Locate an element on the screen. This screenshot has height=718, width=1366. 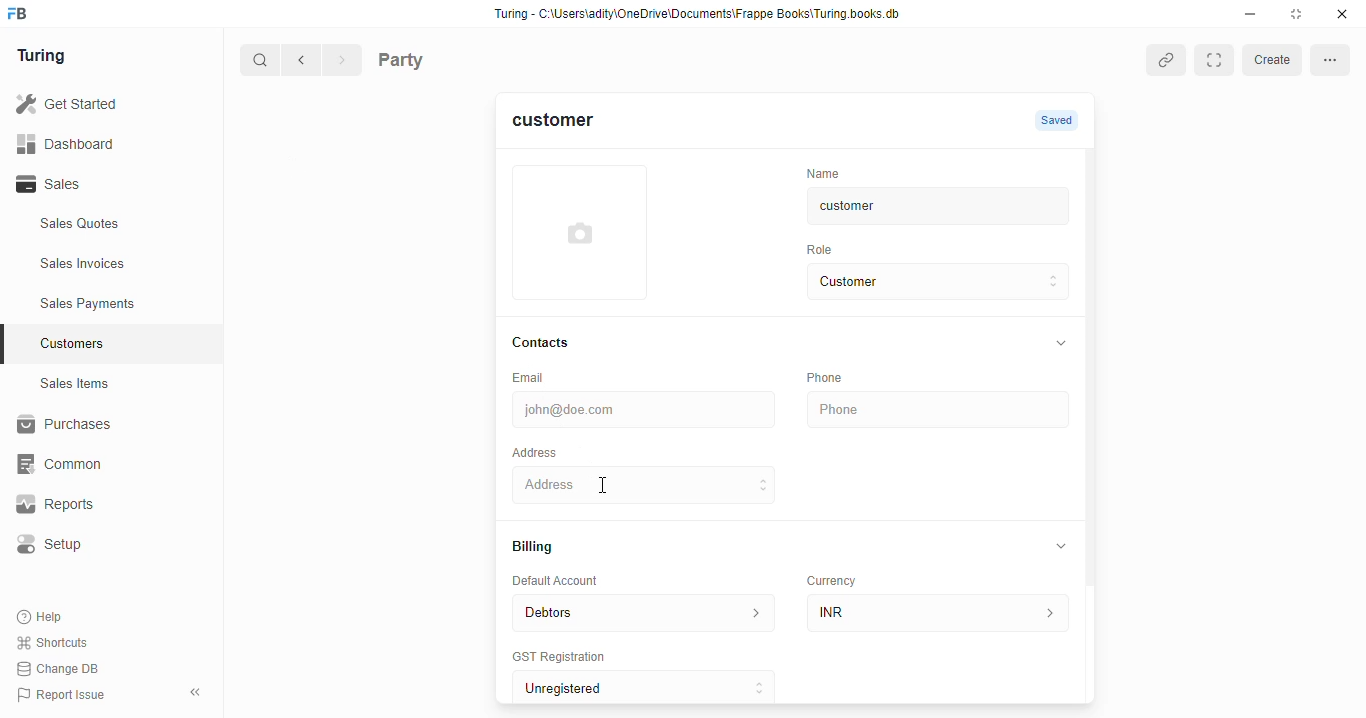
forward is located at coordinates (344, 62).